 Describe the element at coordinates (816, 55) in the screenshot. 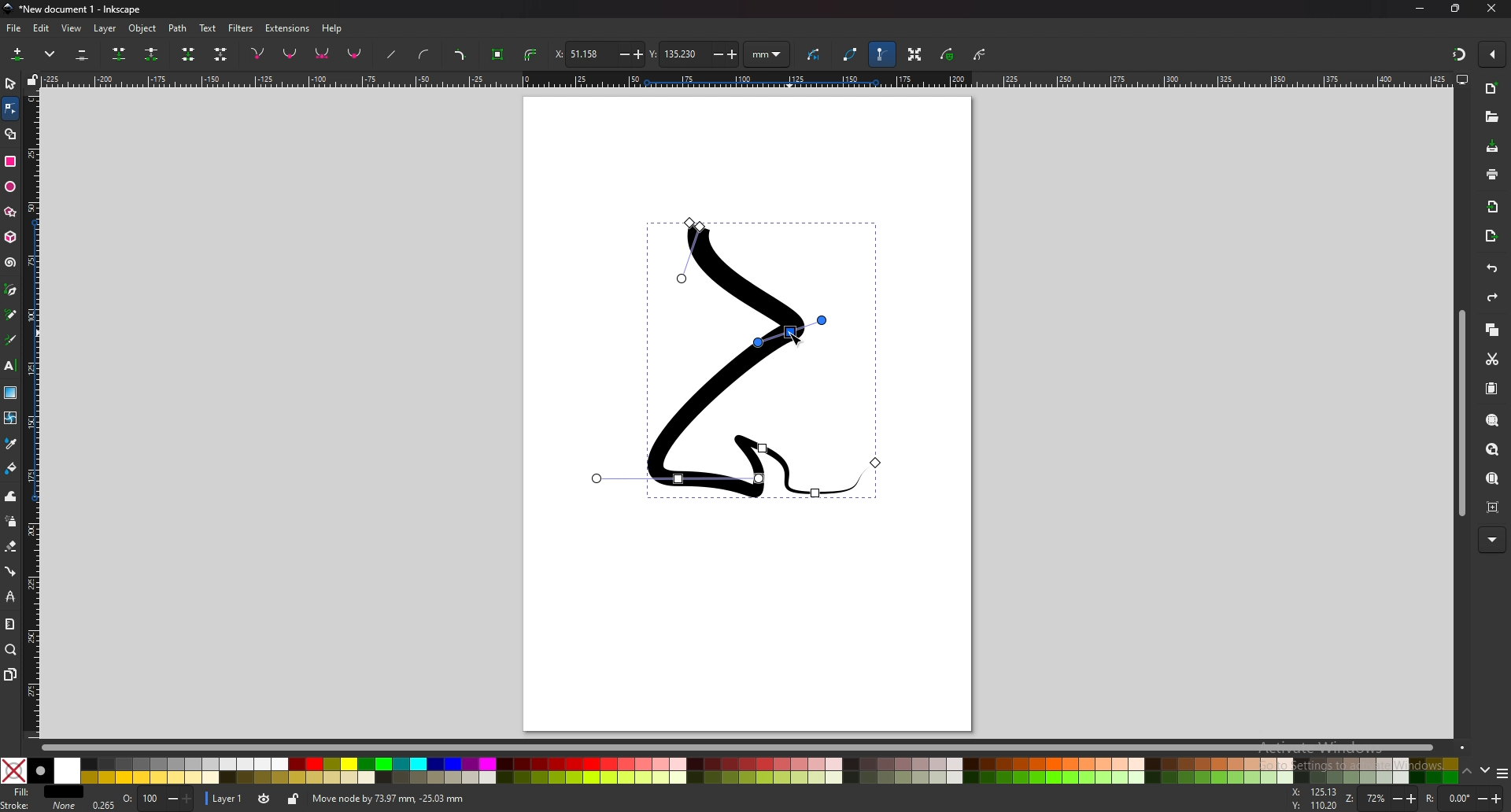

I see `next path effect parameter` at that location.